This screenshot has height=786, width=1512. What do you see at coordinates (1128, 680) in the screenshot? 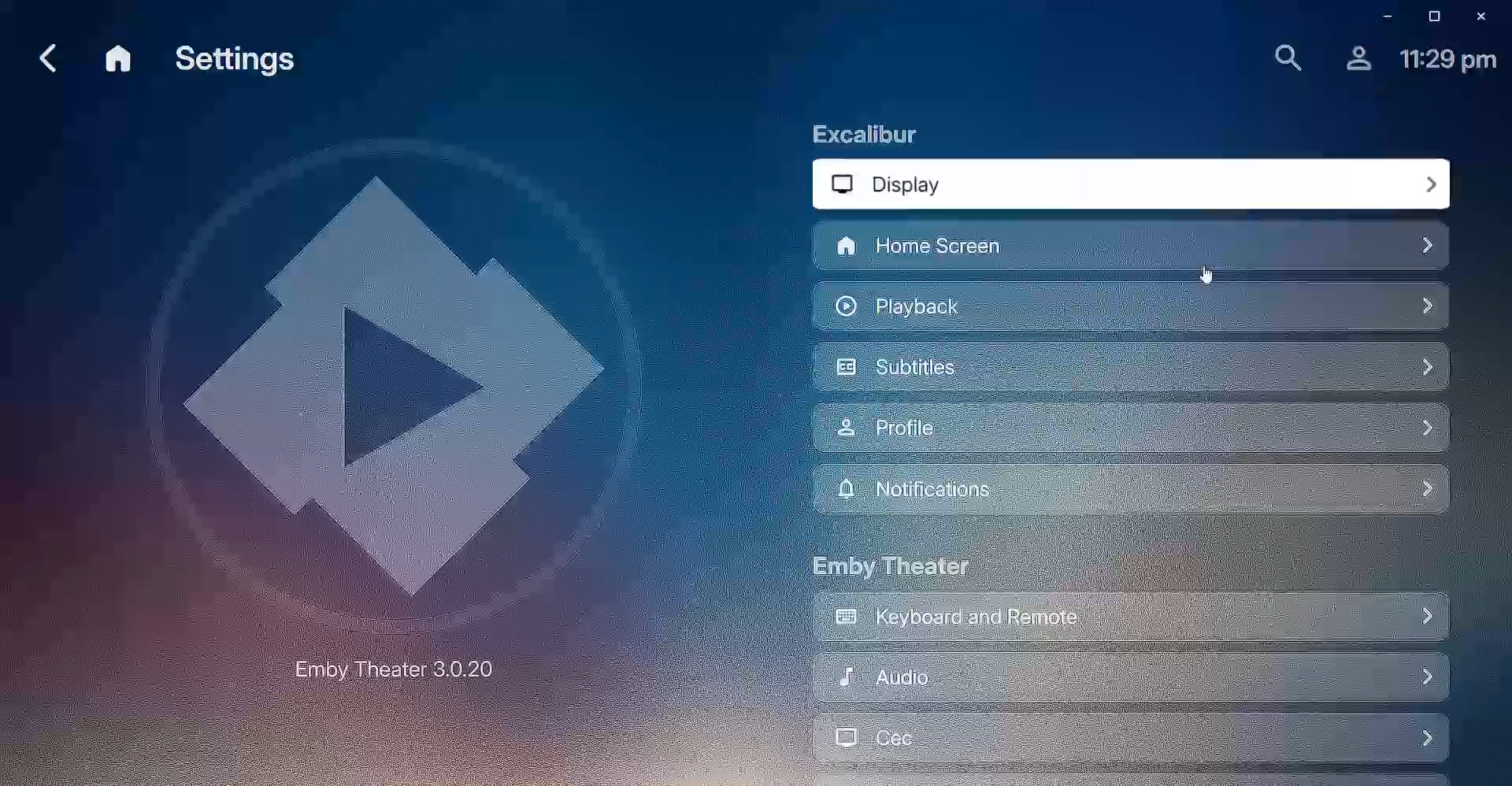
I see `Audio` at bounding box center [1128, 680].